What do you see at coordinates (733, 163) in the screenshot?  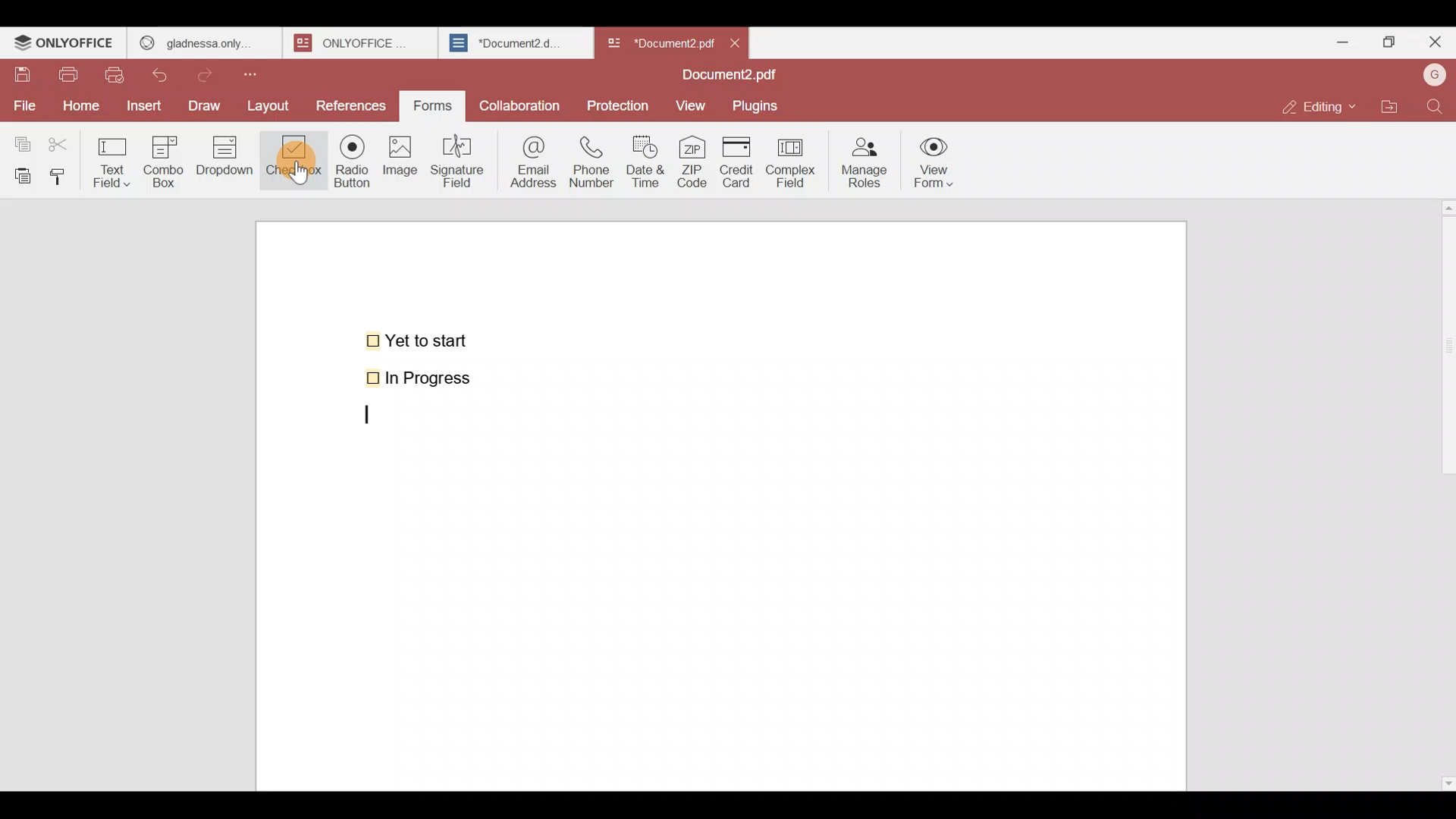 I see `Credit card` at bounding box center [733, 163].